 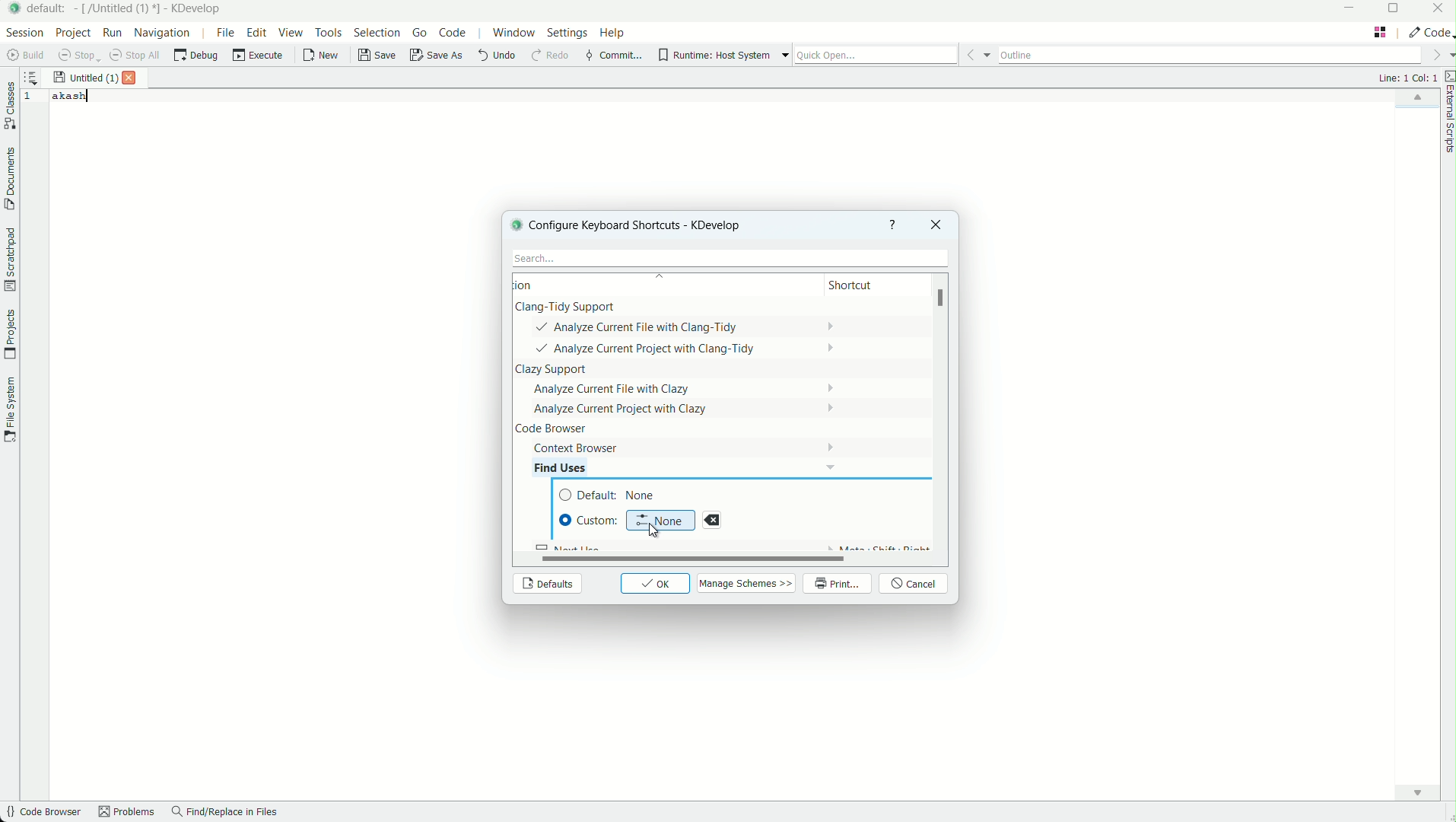 I want to click on settings menu, so click(x=567, y=35).